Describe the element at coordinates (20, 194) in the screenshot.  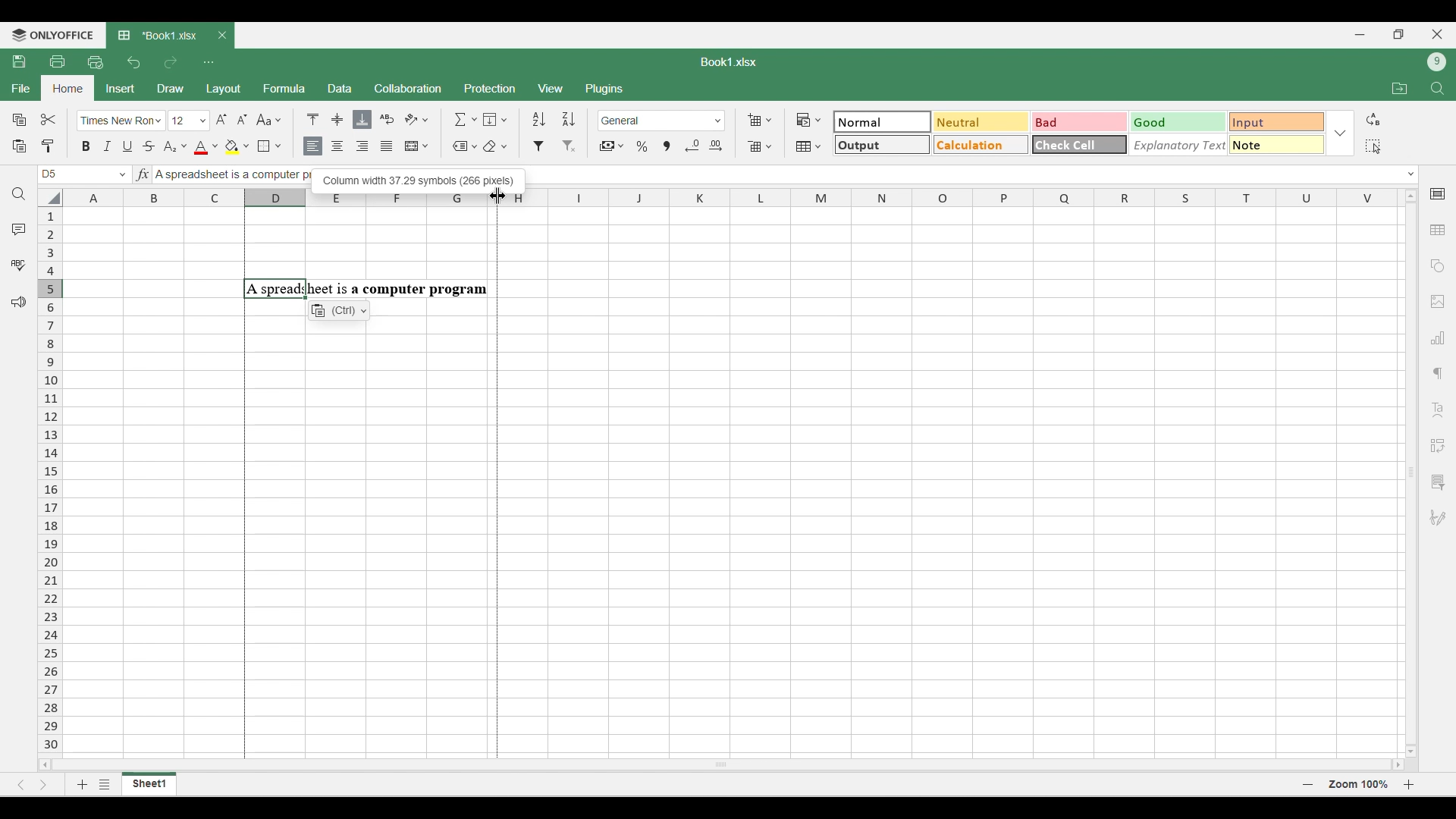
I see `Search` at that location.